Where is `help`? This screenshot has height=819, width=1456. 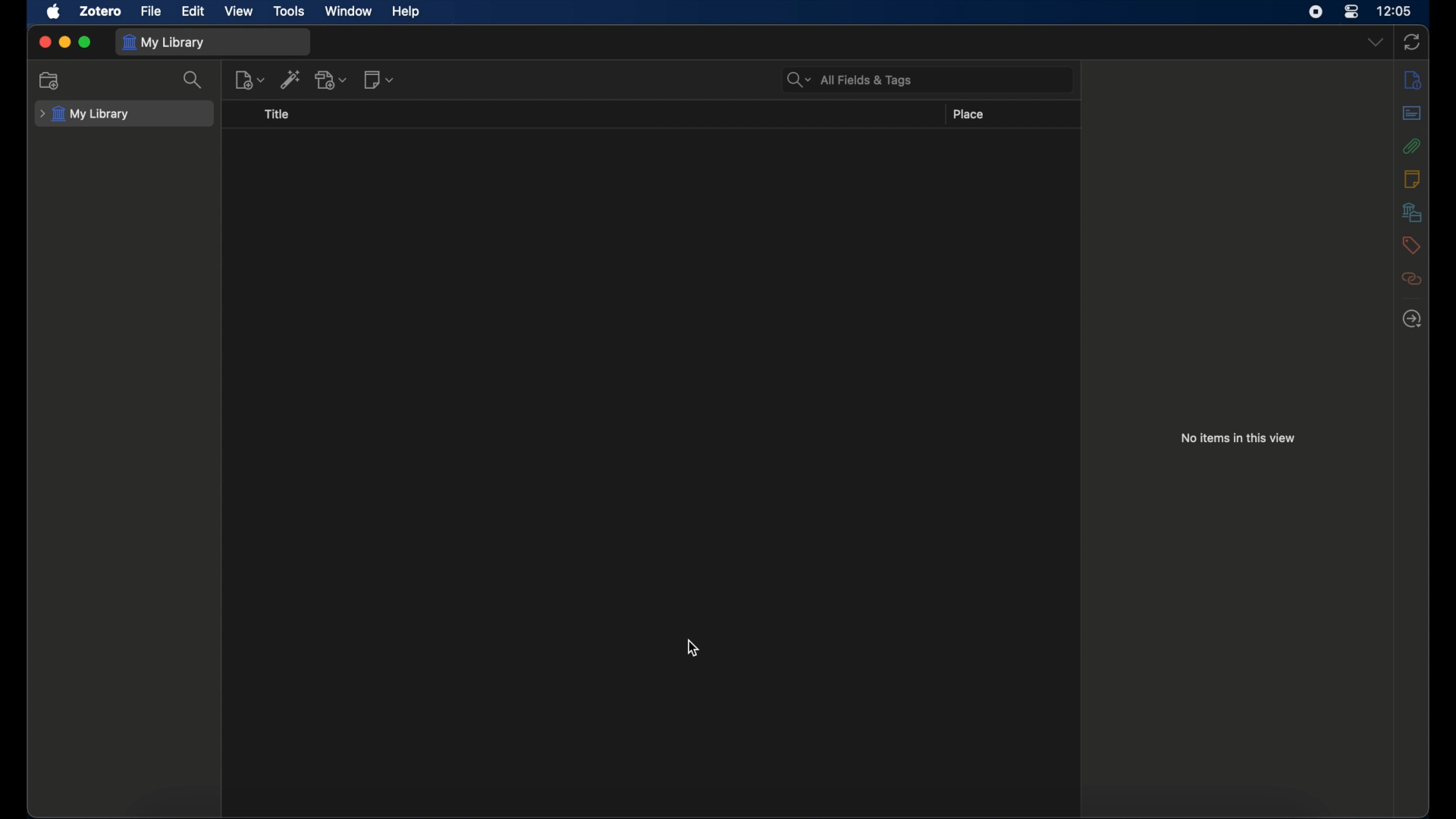
help is located at coordinates (406, 12).